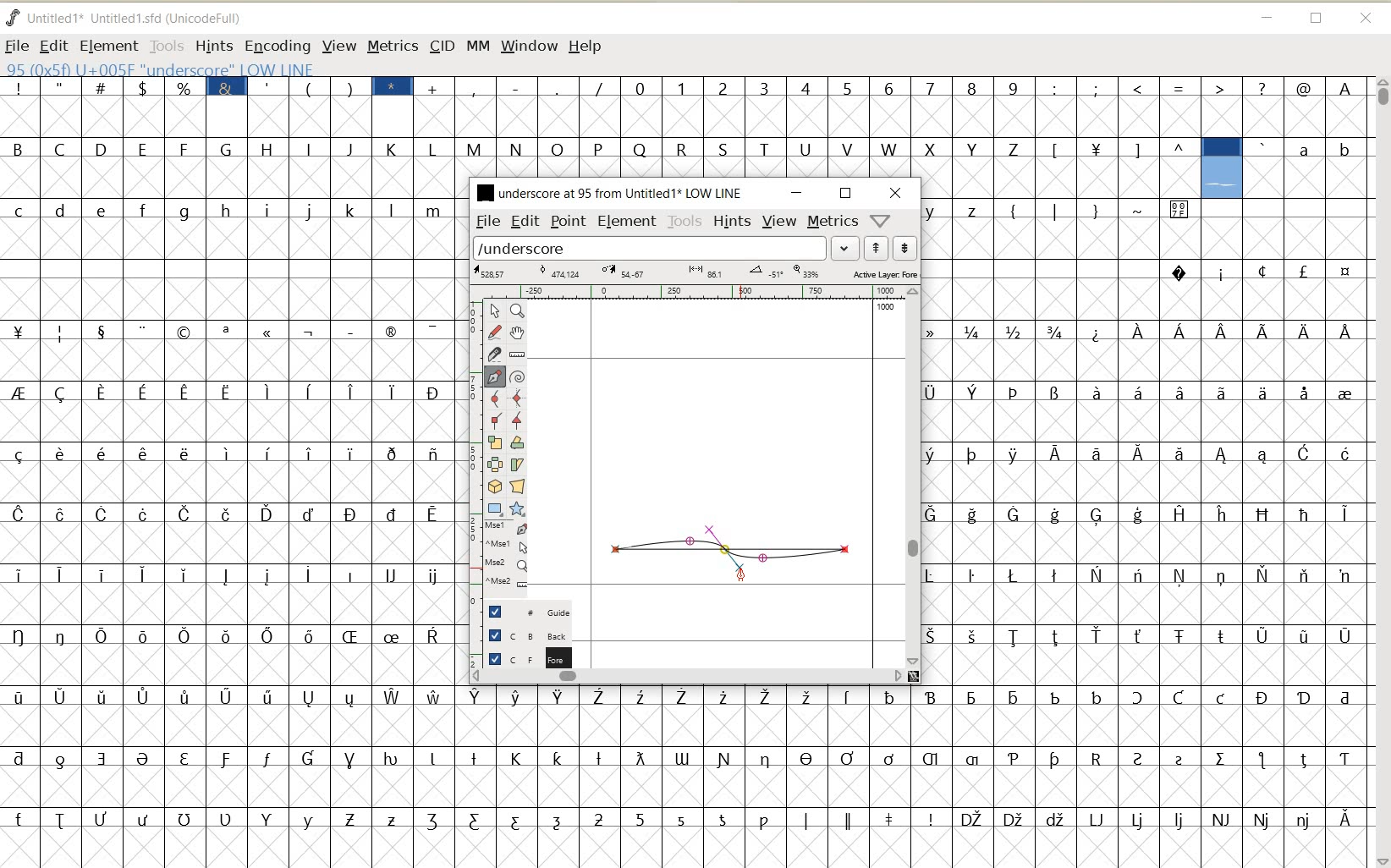  Describe the element at coordinates (650, 247) in the screenshot. I see `load word list` at that location.